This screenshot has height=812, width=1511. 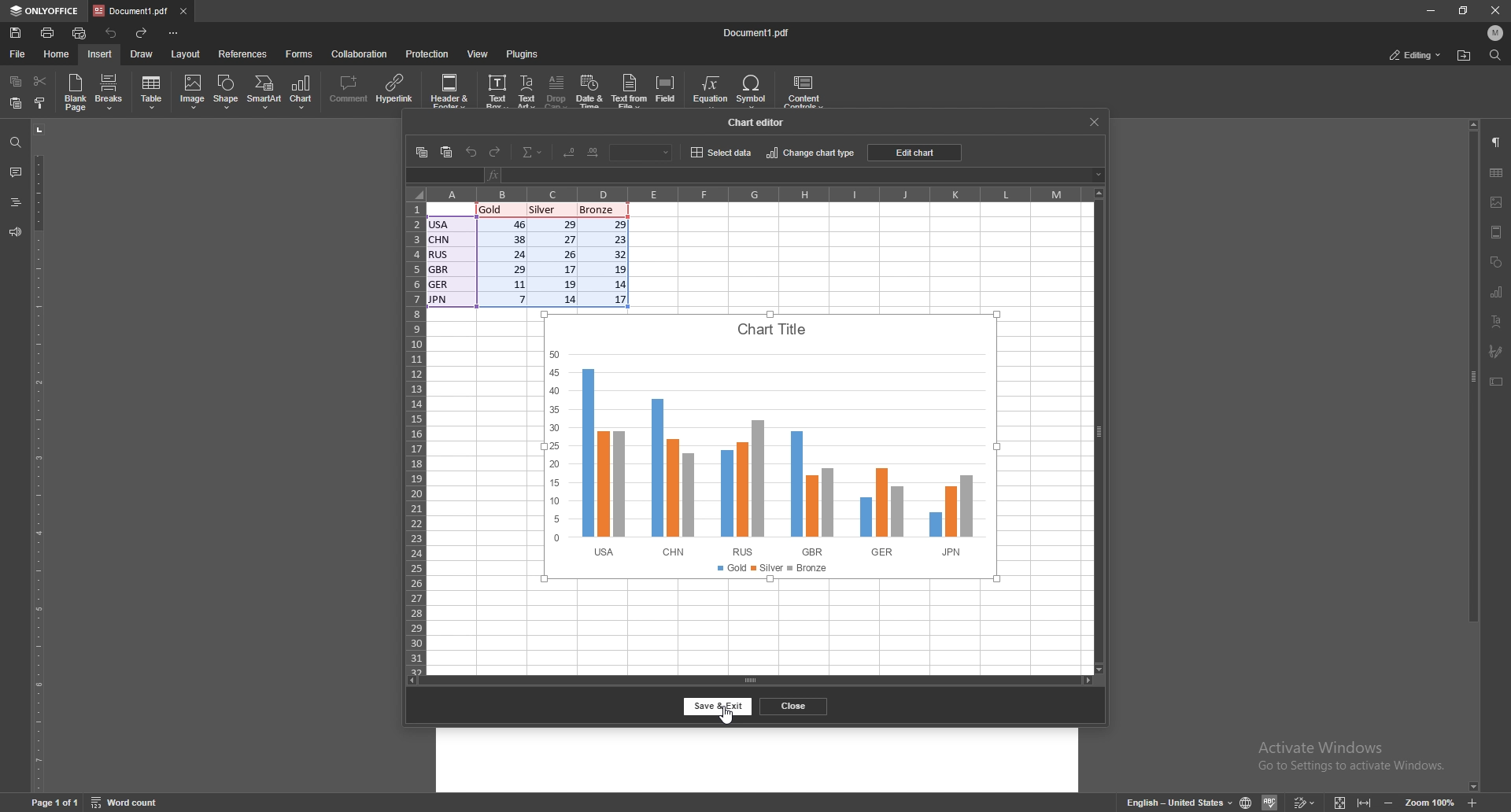 What do you see at coordinates (556, 94) in the screenshot?
I see `drop cap` at bounding box center [556, 94].